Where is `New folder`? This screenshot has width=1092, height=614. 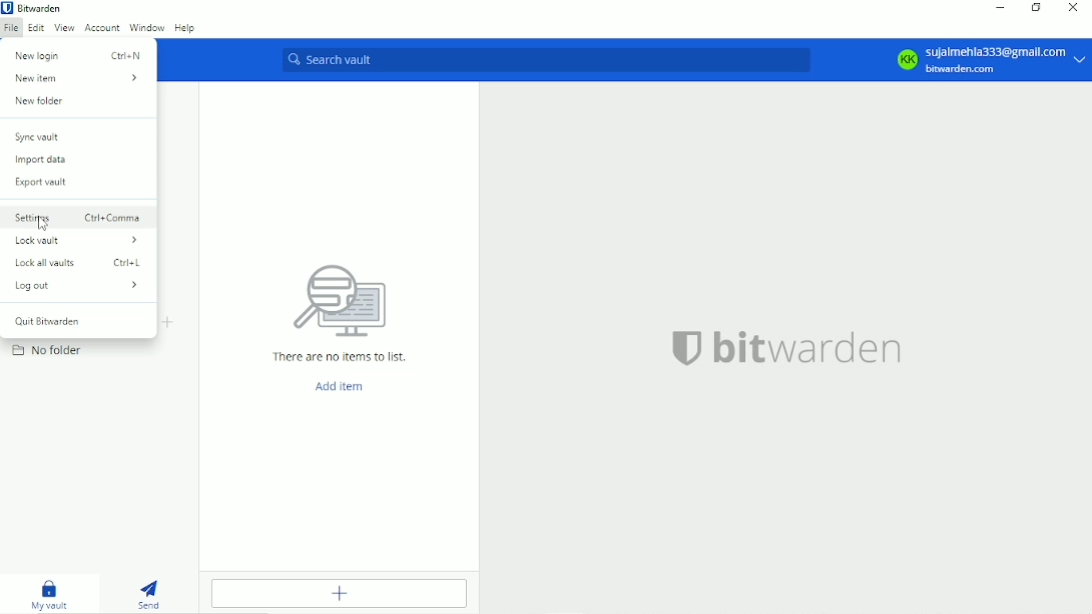
New folder is located at coordinates (44, 101).